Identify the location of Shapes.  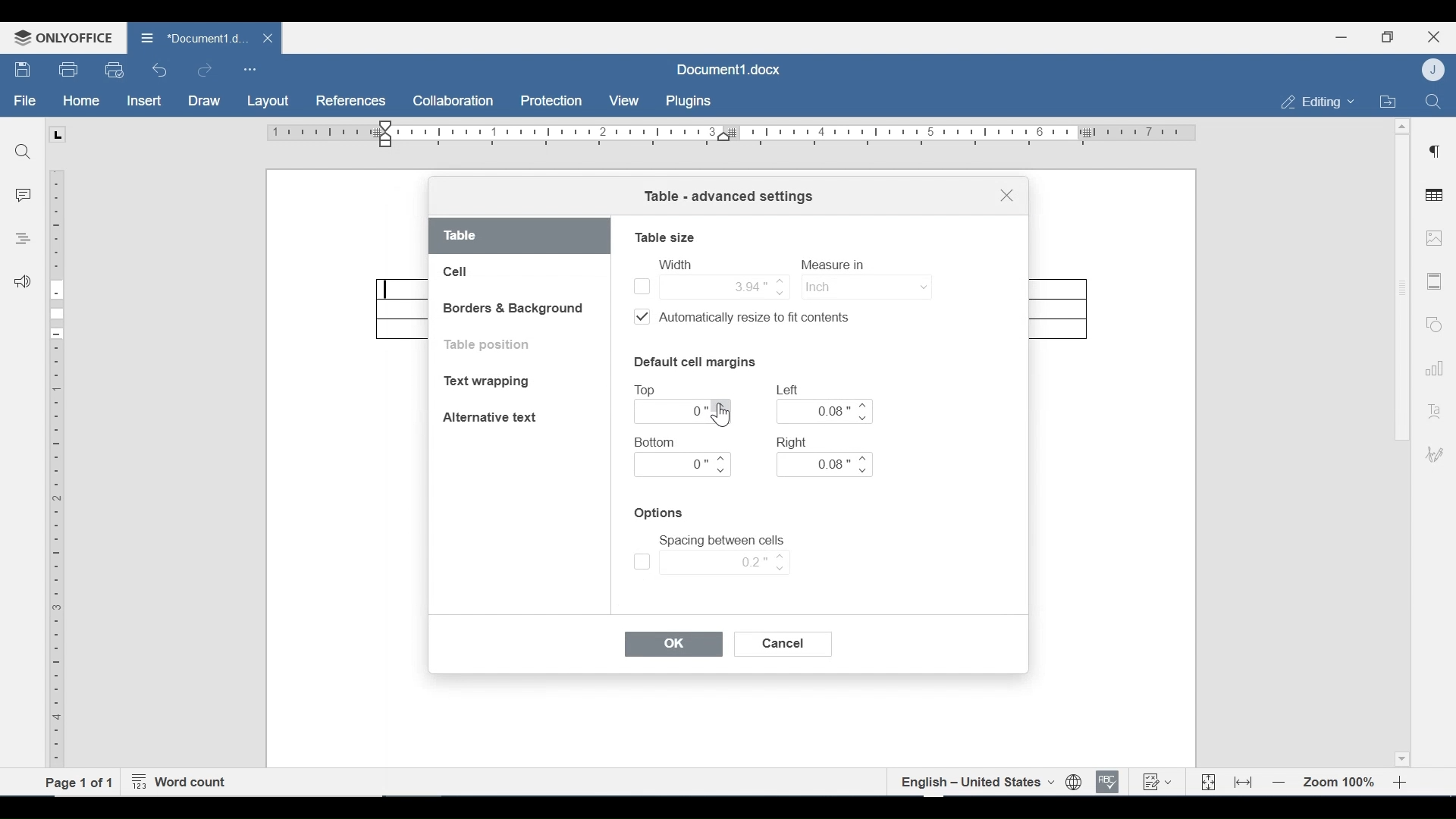
(1432, 322).